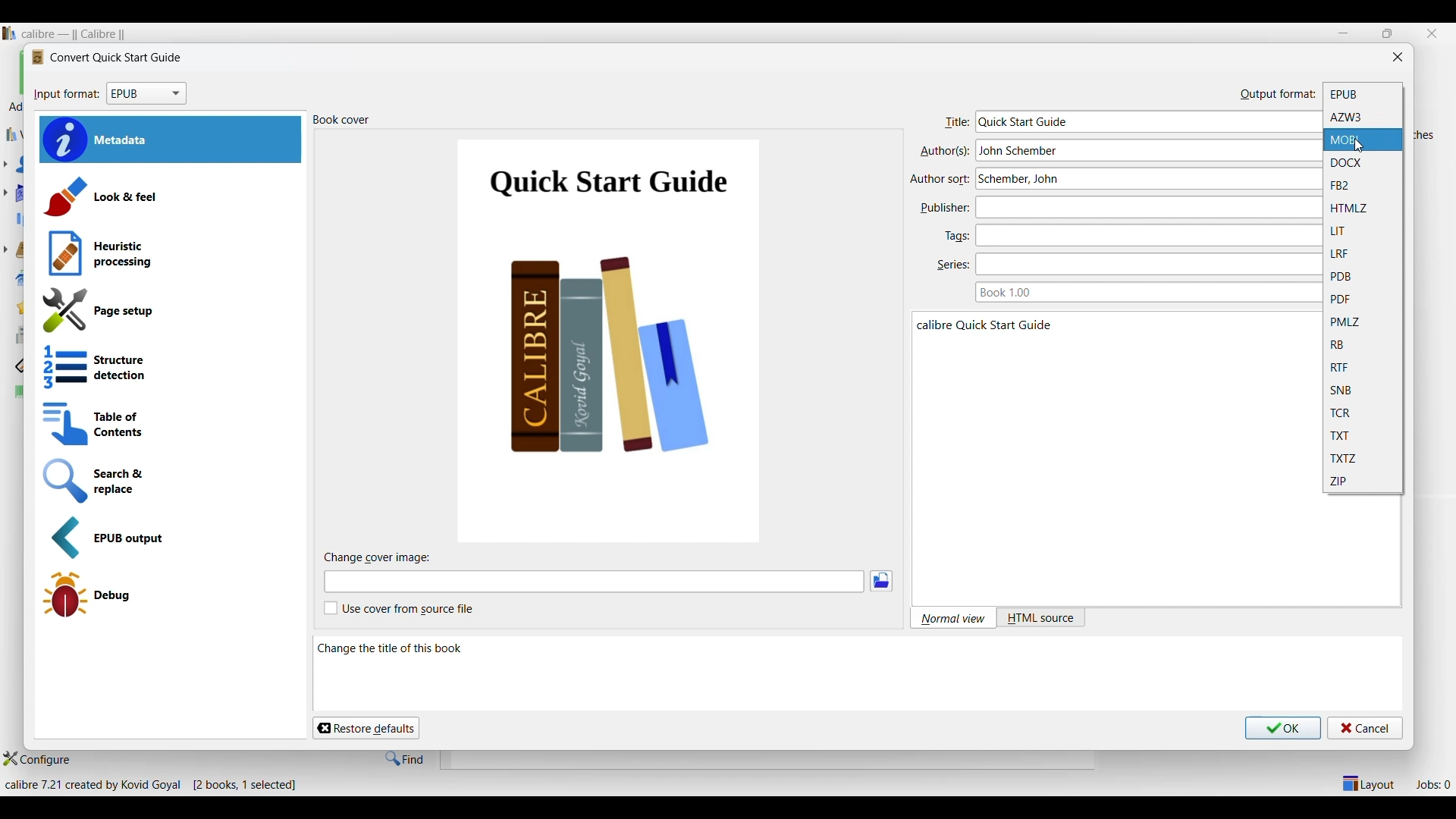  I want to click on Close window, so click(1398, 56).